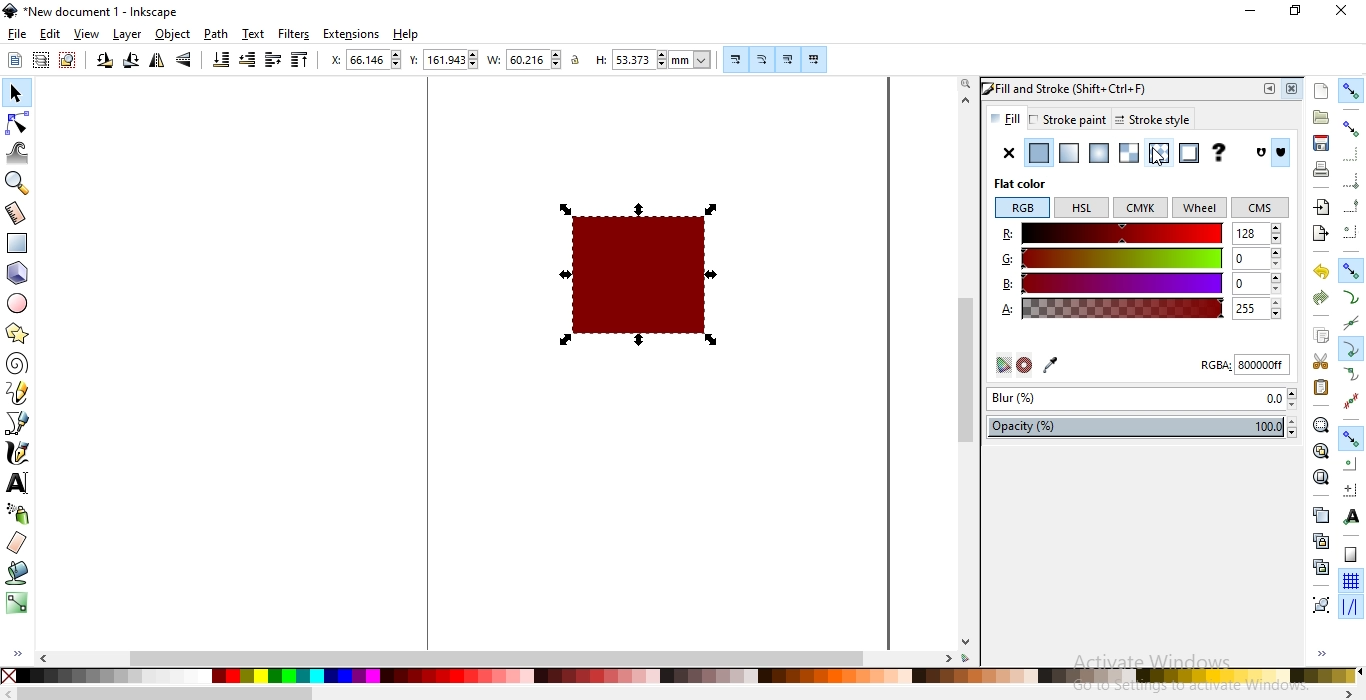 This screenshot has width=1366, height=700. What do you see at coordinates (17, 607) in the screenshot?
I see `create and edit gradient ` at bounding box center [17, 607].